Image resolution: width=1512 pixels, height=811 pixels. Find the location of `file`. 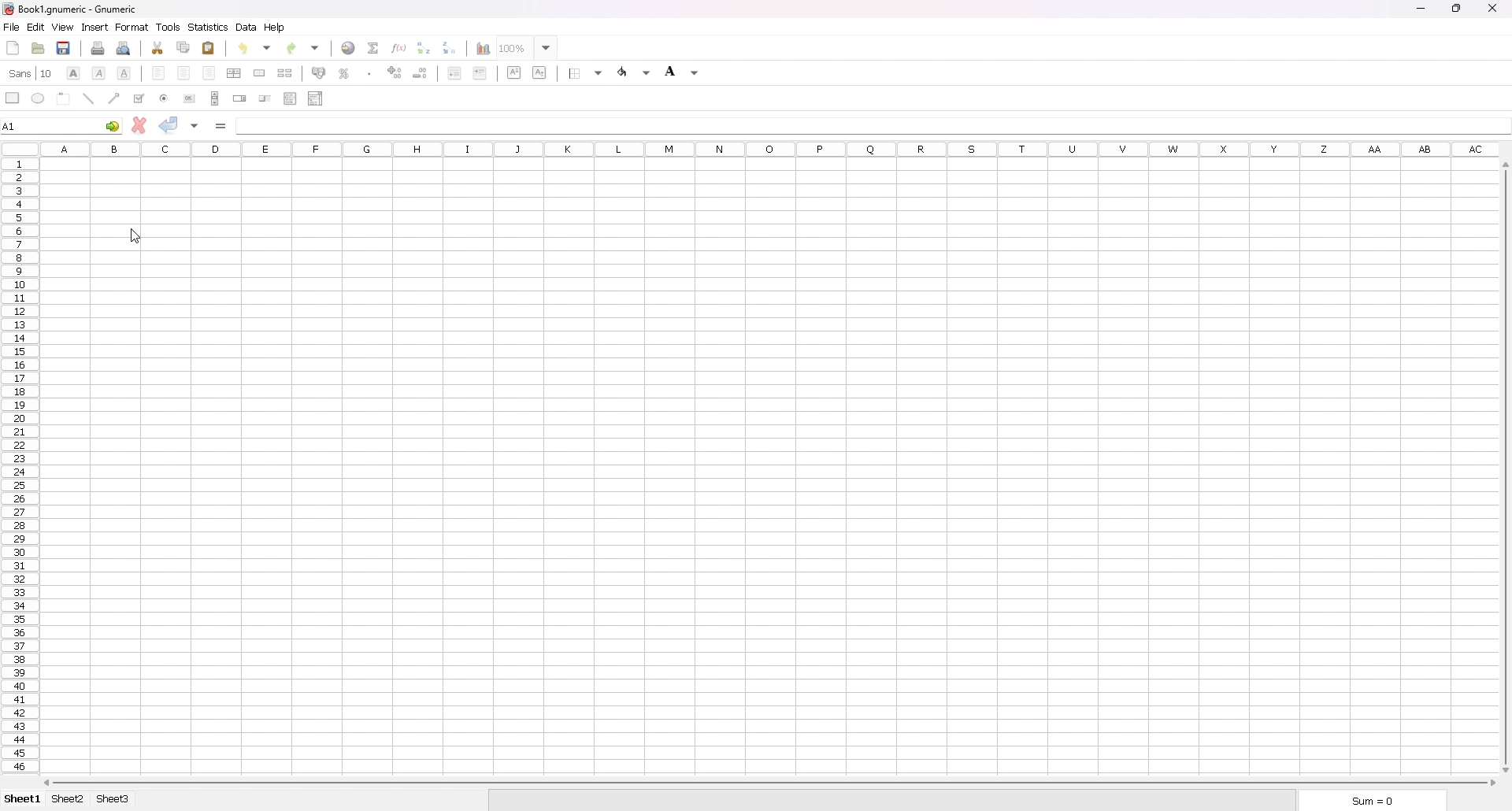

file is located at coordinates (12, 28).